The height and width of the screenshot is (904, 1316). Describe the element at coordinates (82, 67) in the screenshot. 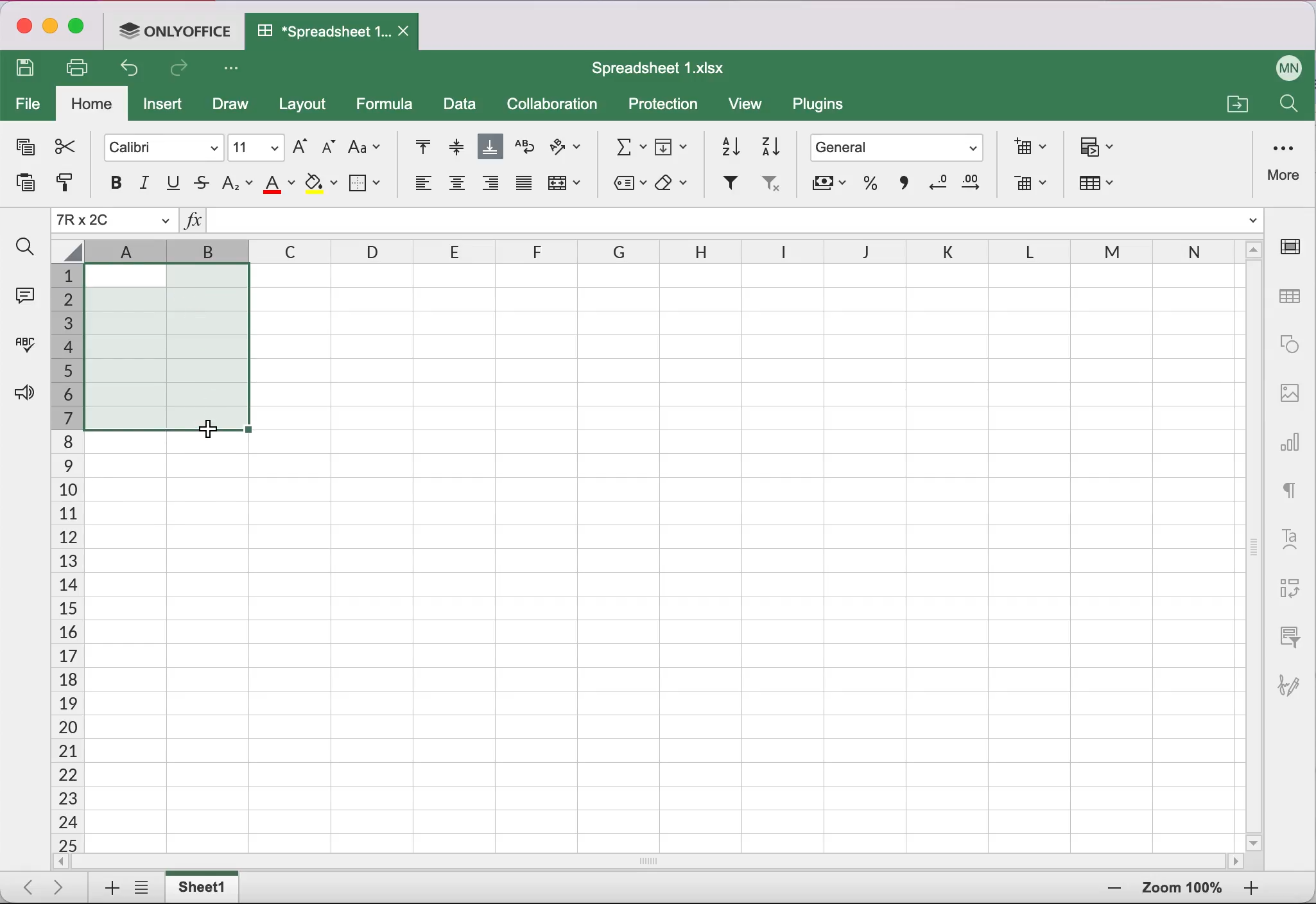

I see `print` at that location.